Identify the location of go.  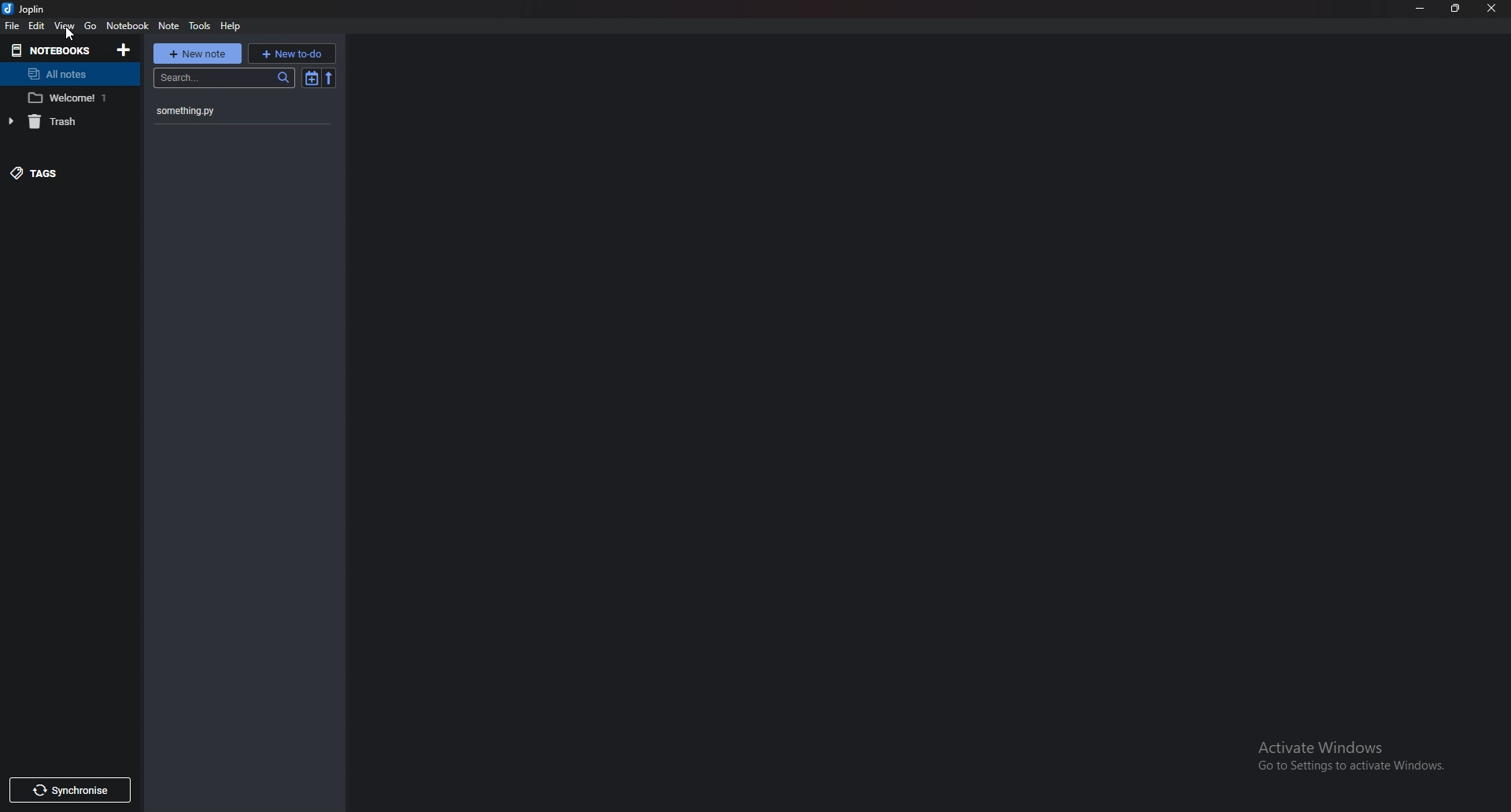
(91, 25).